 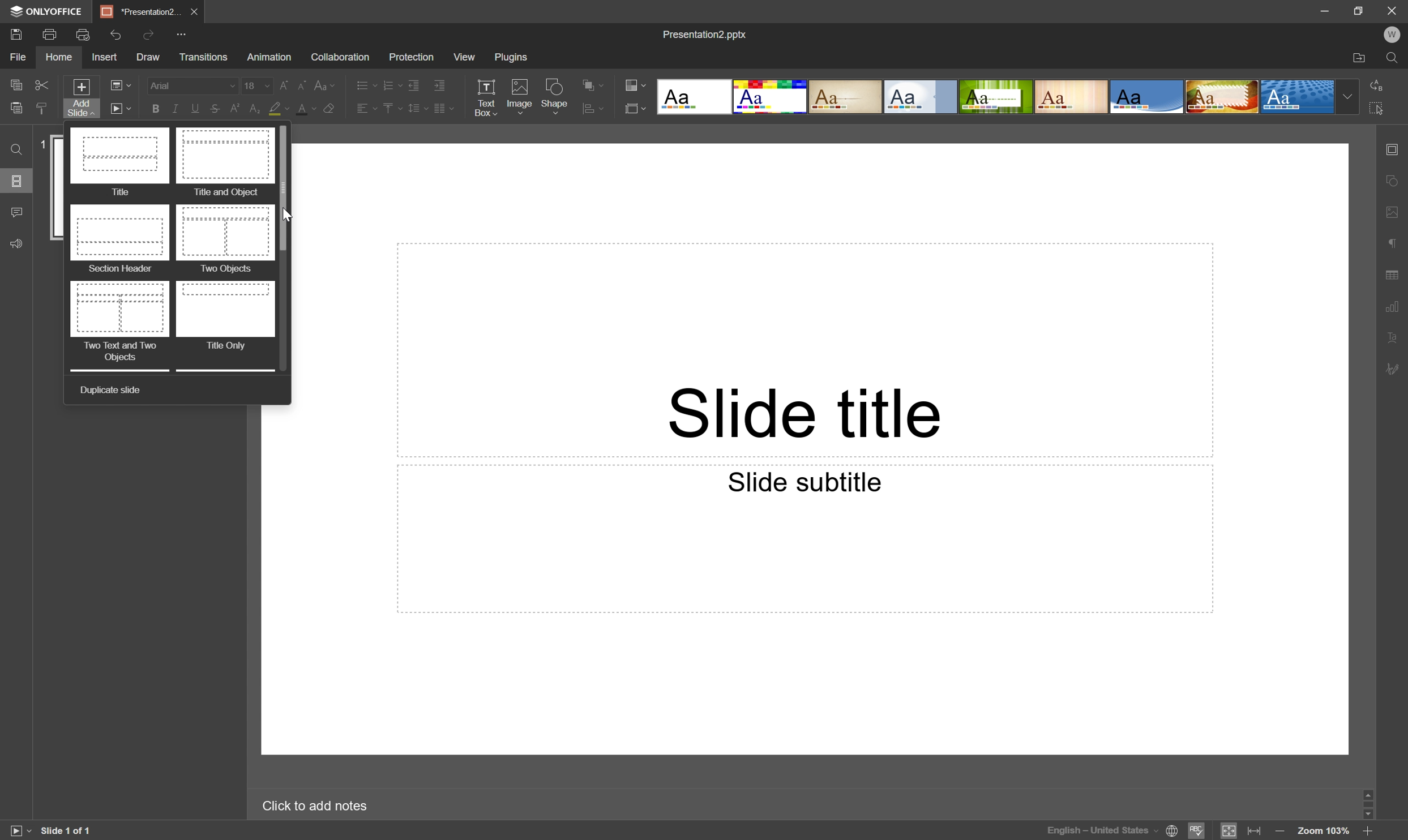 I want to click on Insert, so click(x=103, y=57).